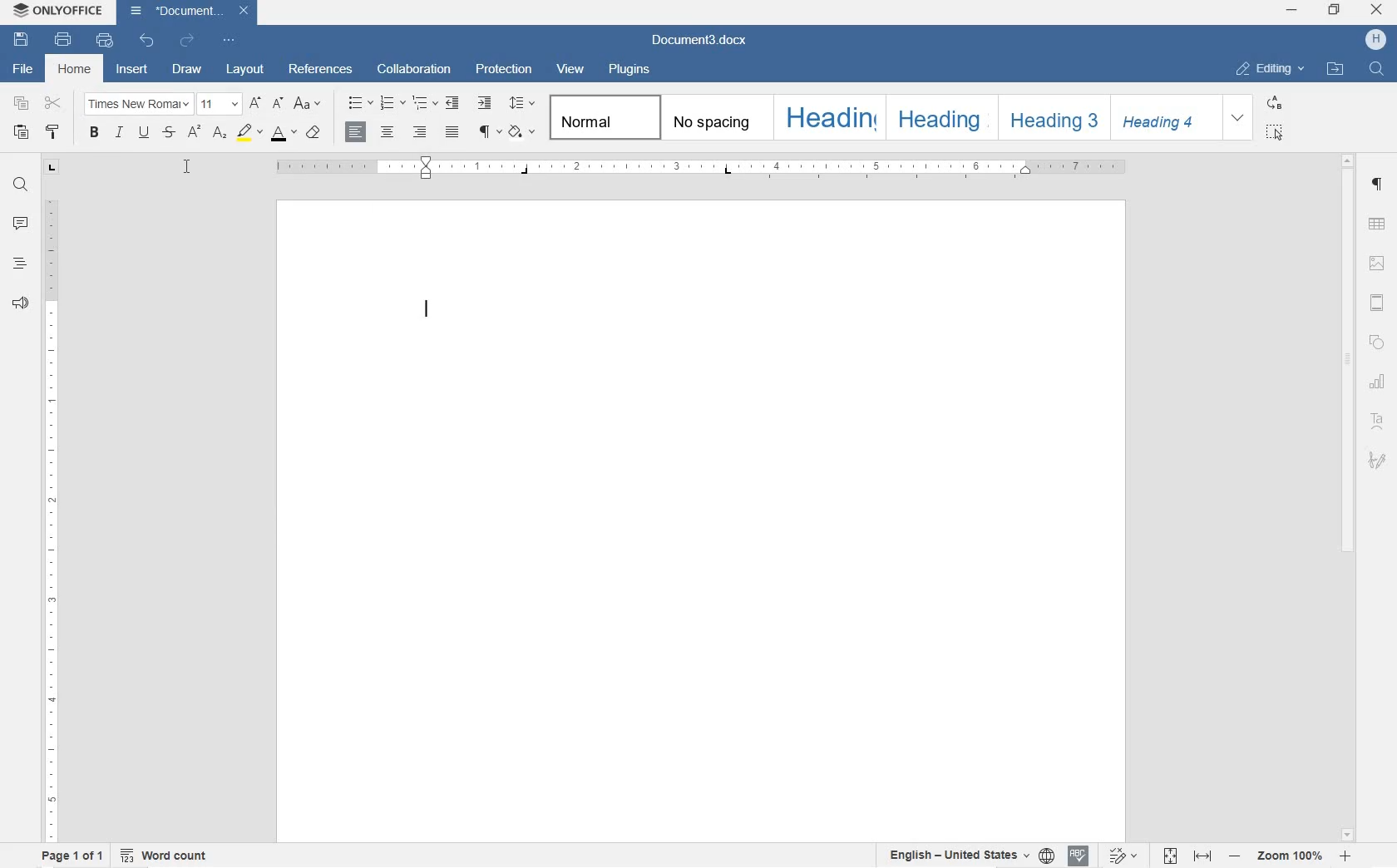 This screenshot has height=868, width=1397. What do you see at coordinates (277, 104) in the screenshot?
I see `DECREMENT FONT SIZE` at bounding box center [277, 104].